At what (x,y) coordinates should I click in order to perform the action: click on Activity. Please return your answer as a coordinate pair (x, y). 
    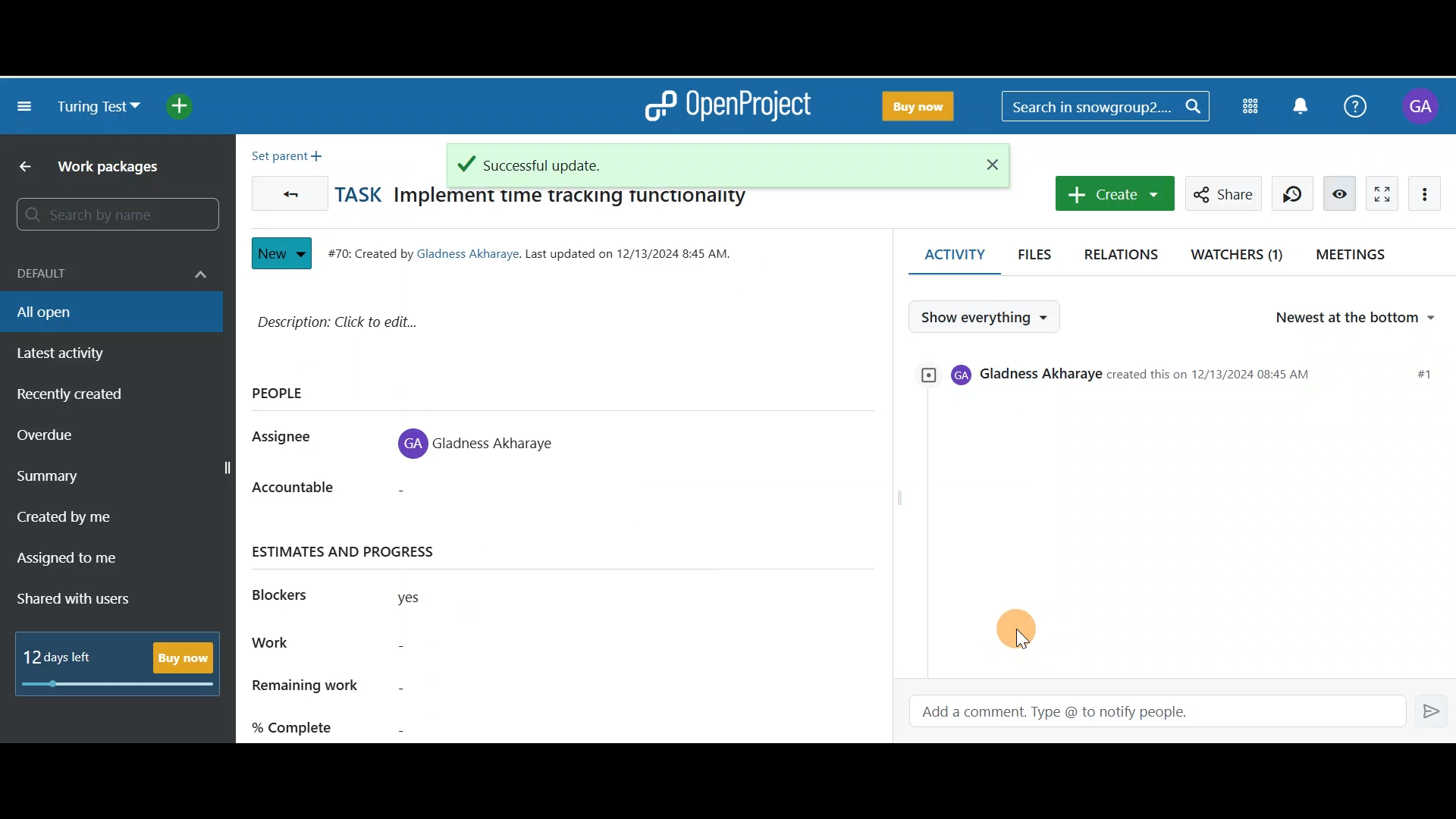
    Looking at the image, I should click on (945, 254).